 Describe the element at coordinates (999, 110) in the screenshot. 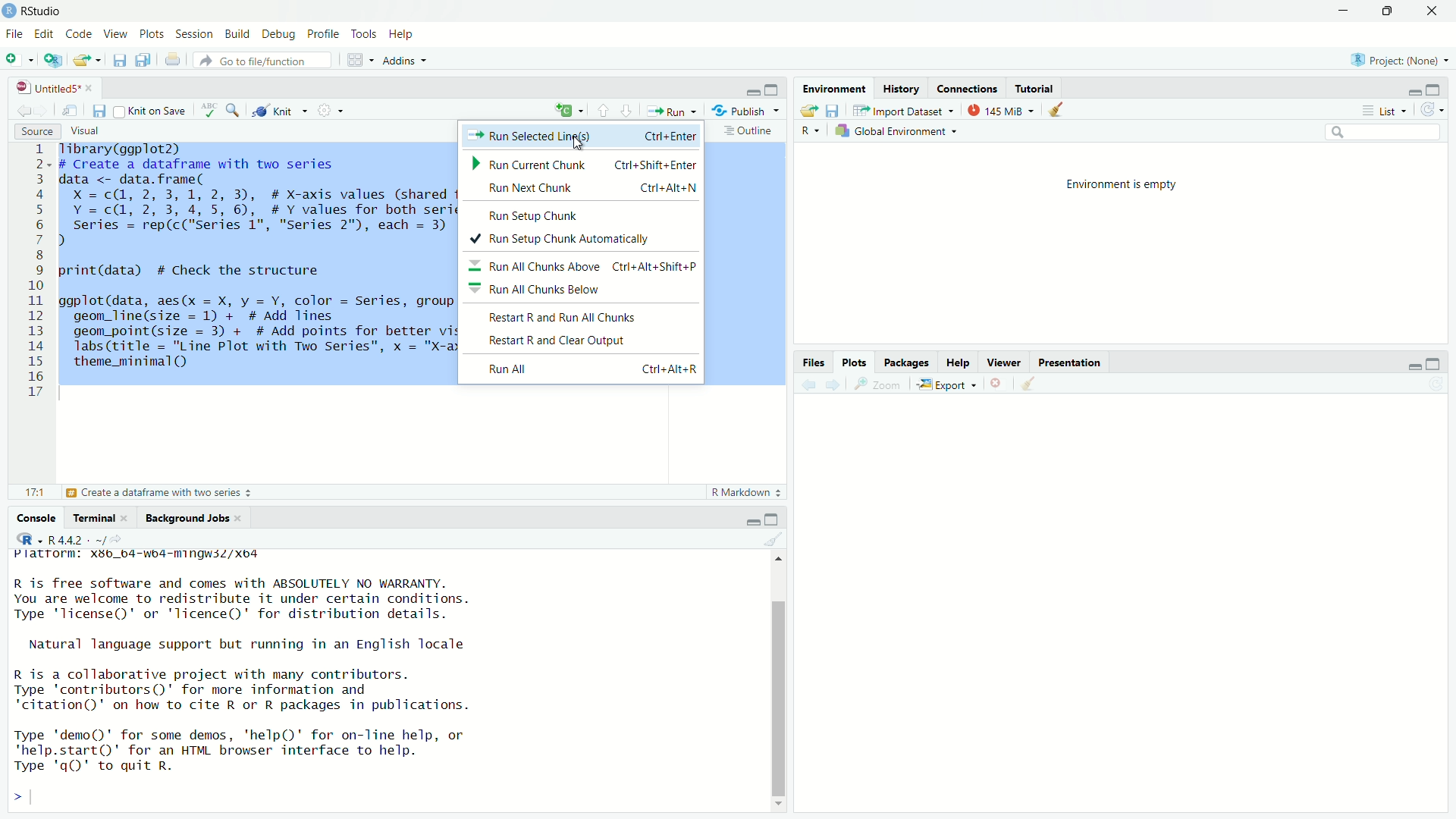

I see ` 145 MB used by R studio` at that location.